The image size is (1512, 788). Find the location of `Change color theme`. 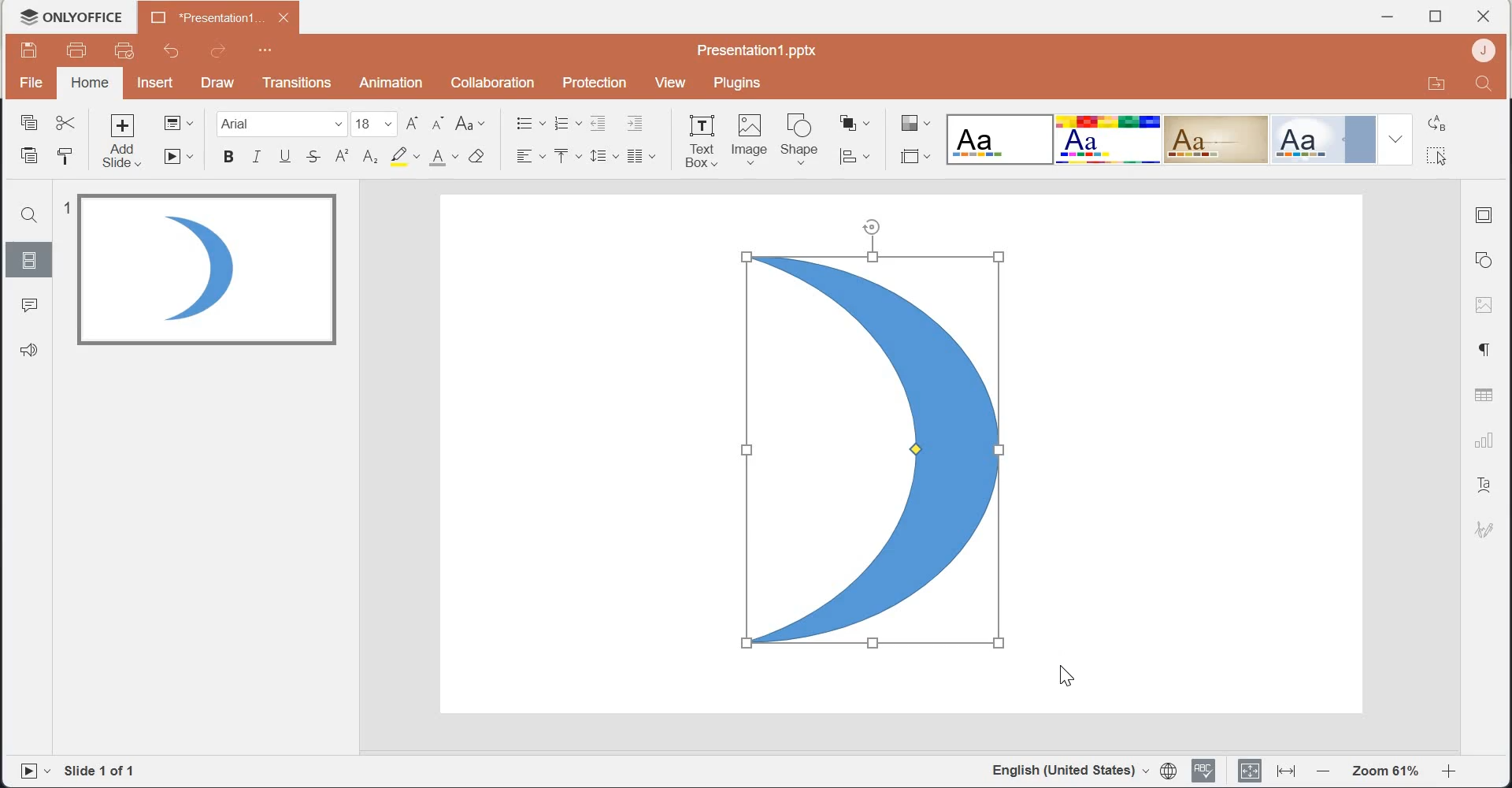

Change color theme is located at coordinates (913, 123).